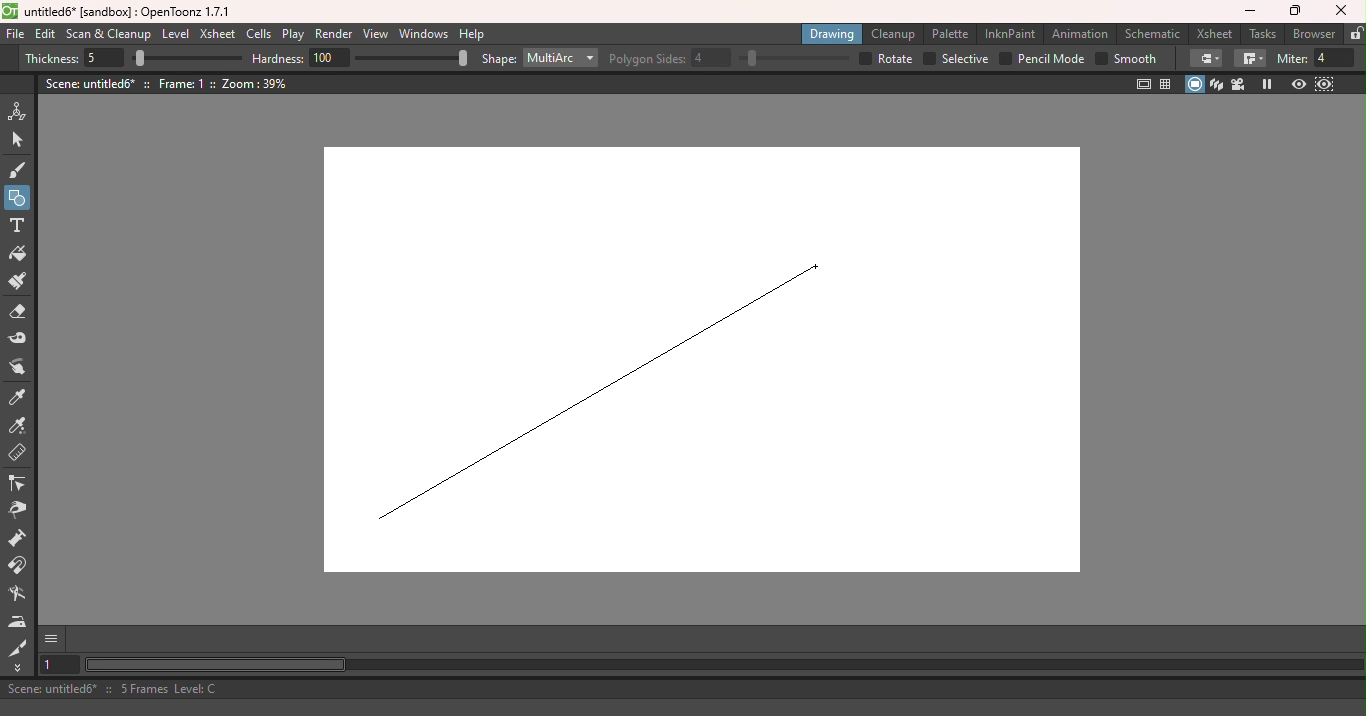 This screenshot has height=716, width=1366. What do you see at coordinates (1205, 59) in the screenshot?
I see `Cap` at bounding box center [1205, 59].